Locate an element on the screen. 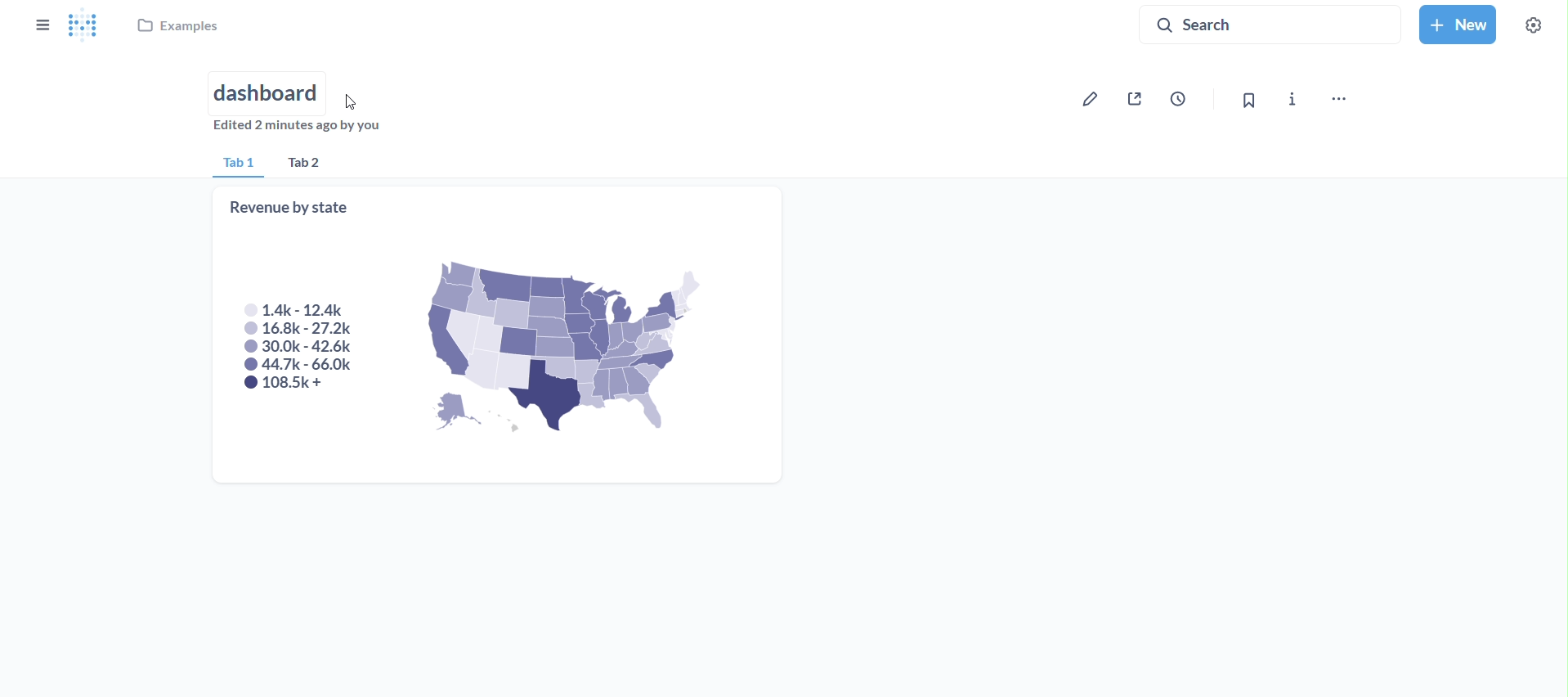  tab 1 is located at coordinates (237, 164).